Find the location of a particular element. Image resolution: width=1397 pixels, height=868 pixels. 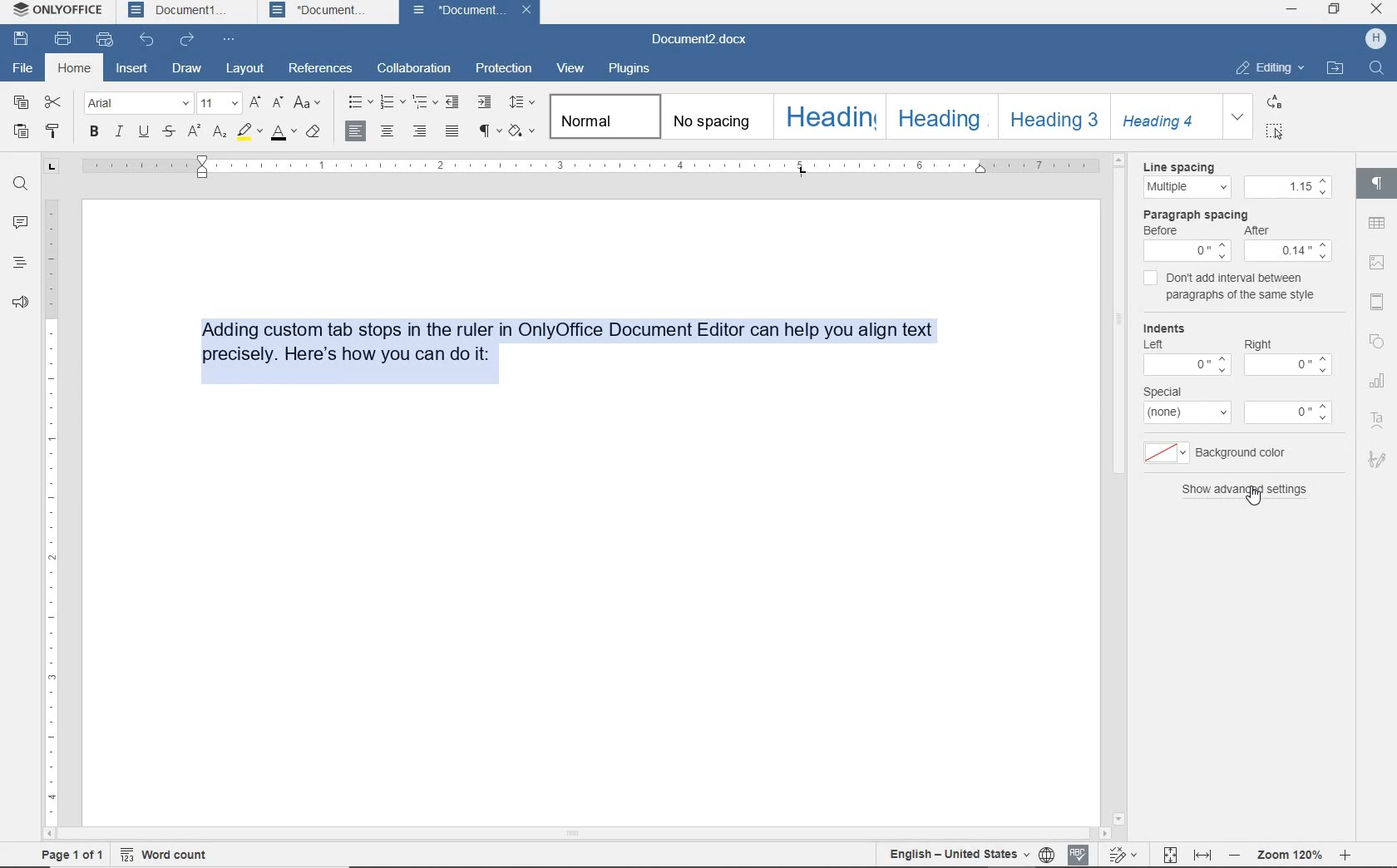

insert is located at coordinates (131, 70).